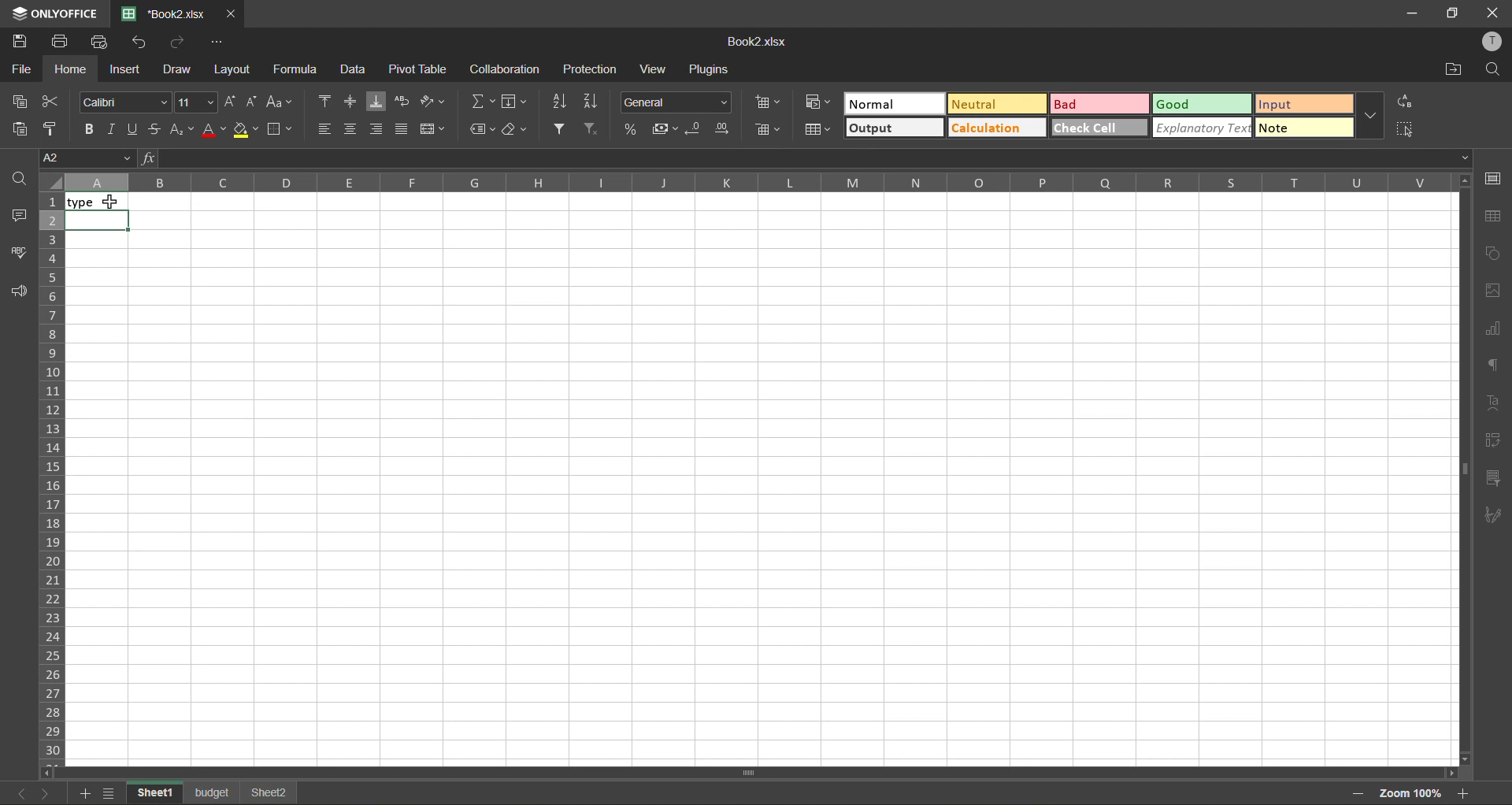 The image size is (1512, 805). Describe the element at coordinates (1304, 130) in the screenshot. I see `note` at that location.